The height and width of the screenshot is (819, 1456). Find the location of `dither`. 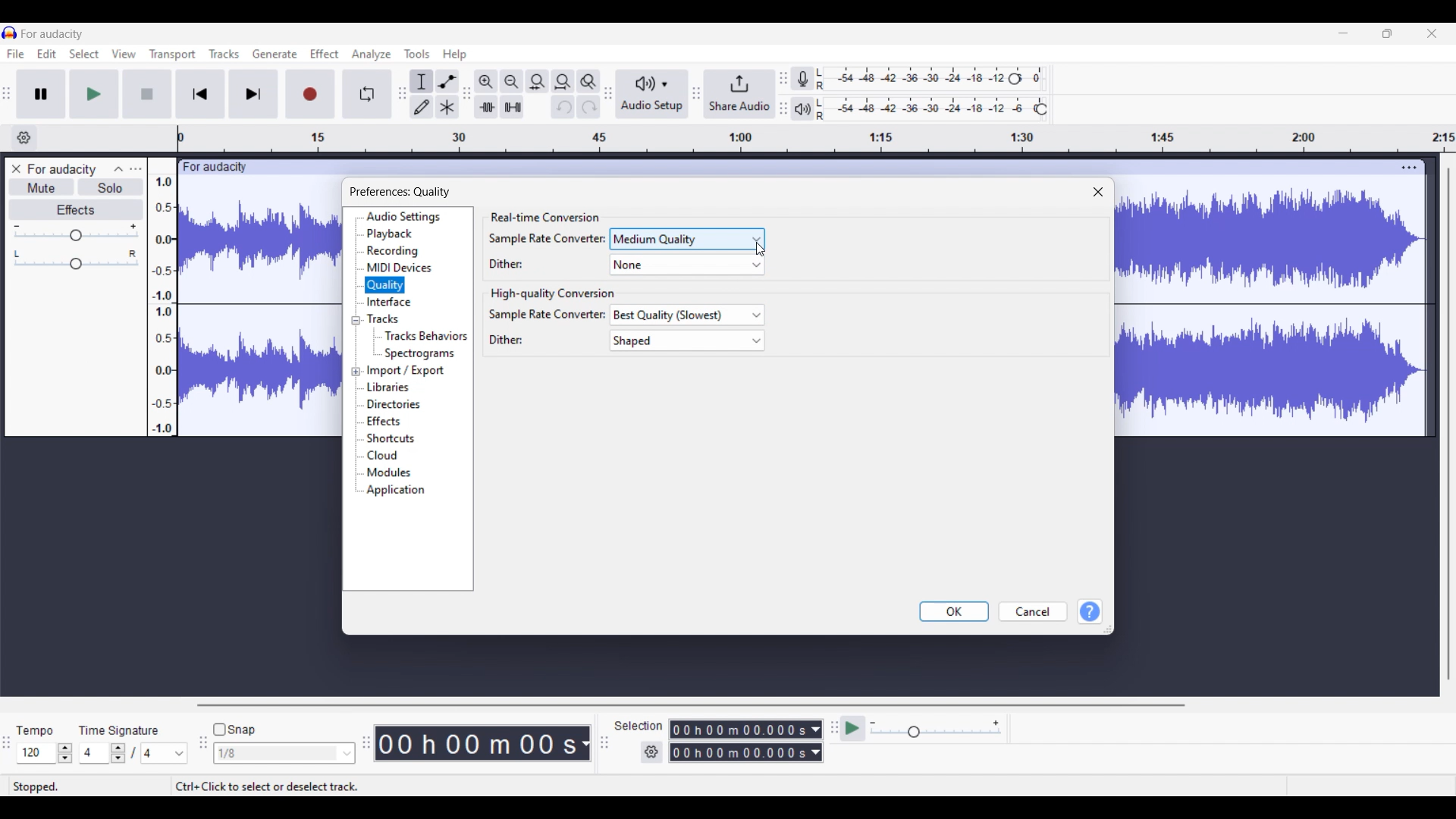

dither is located at coordinates (510, 263).